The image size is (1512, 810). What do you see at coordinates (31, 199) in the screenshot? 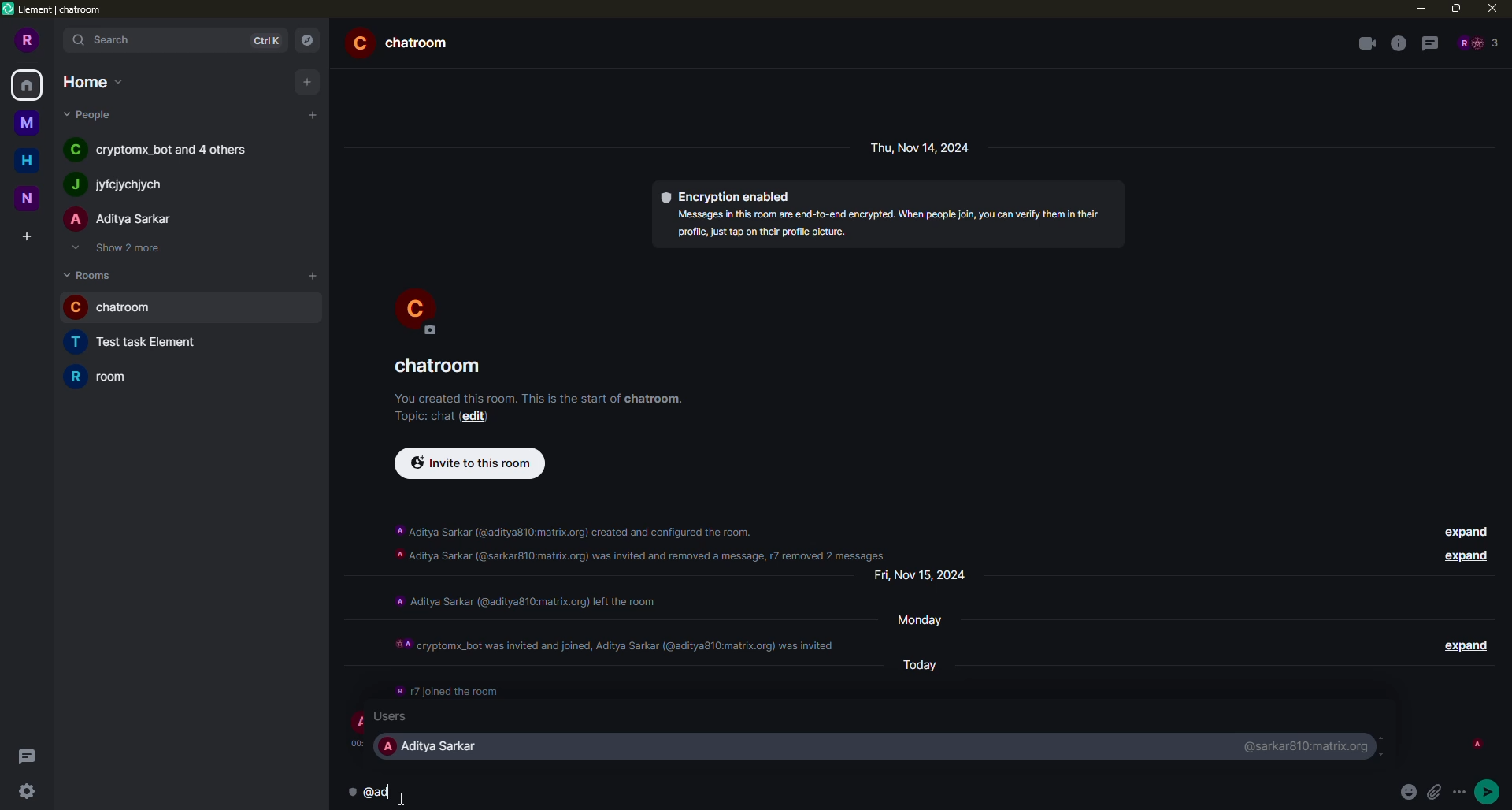
I see `space` at bounding box center [31, 199].